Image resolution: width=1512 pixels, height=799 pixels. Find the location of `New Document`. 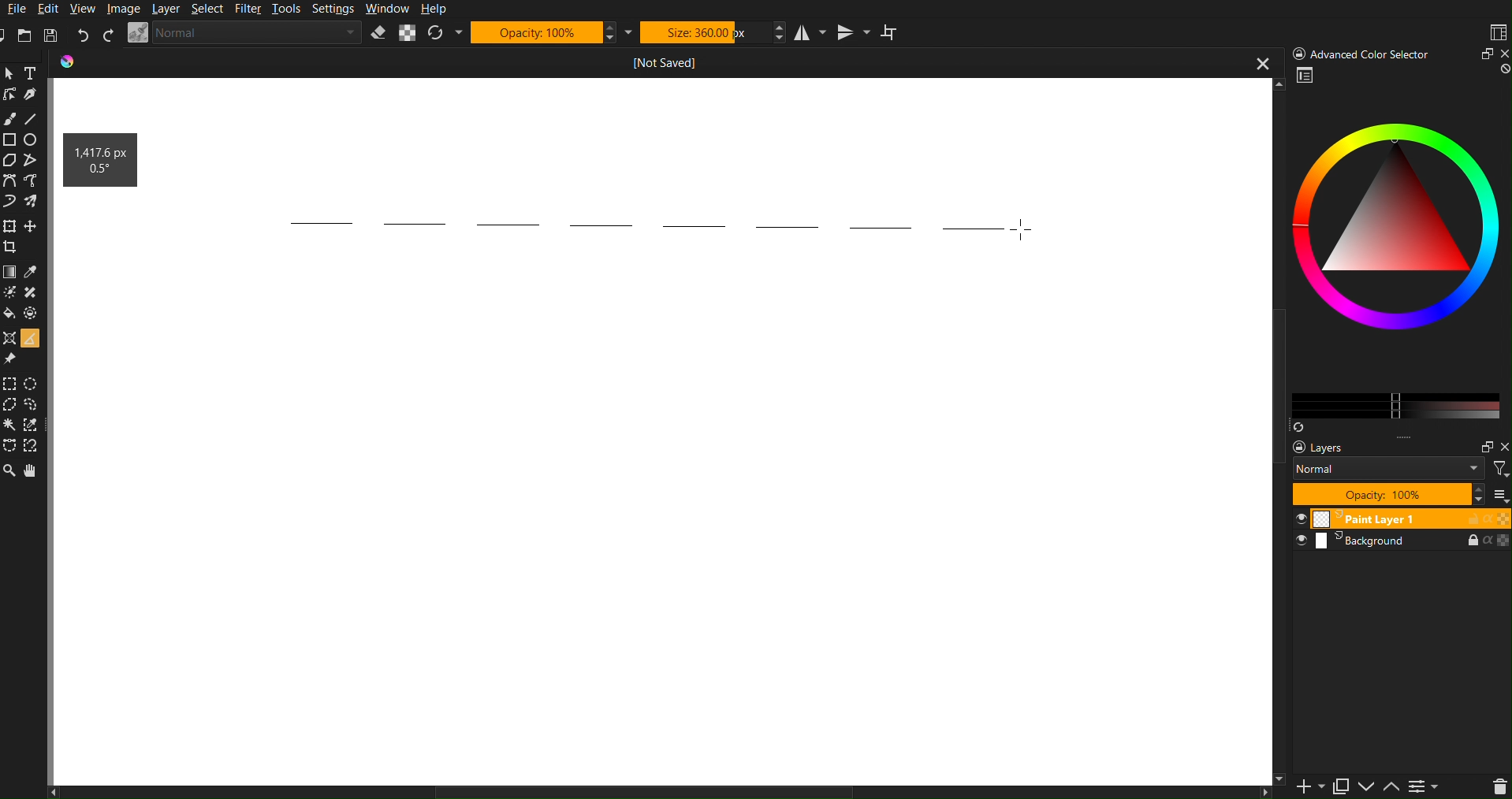

New Document is located at coordinates (9, 35).